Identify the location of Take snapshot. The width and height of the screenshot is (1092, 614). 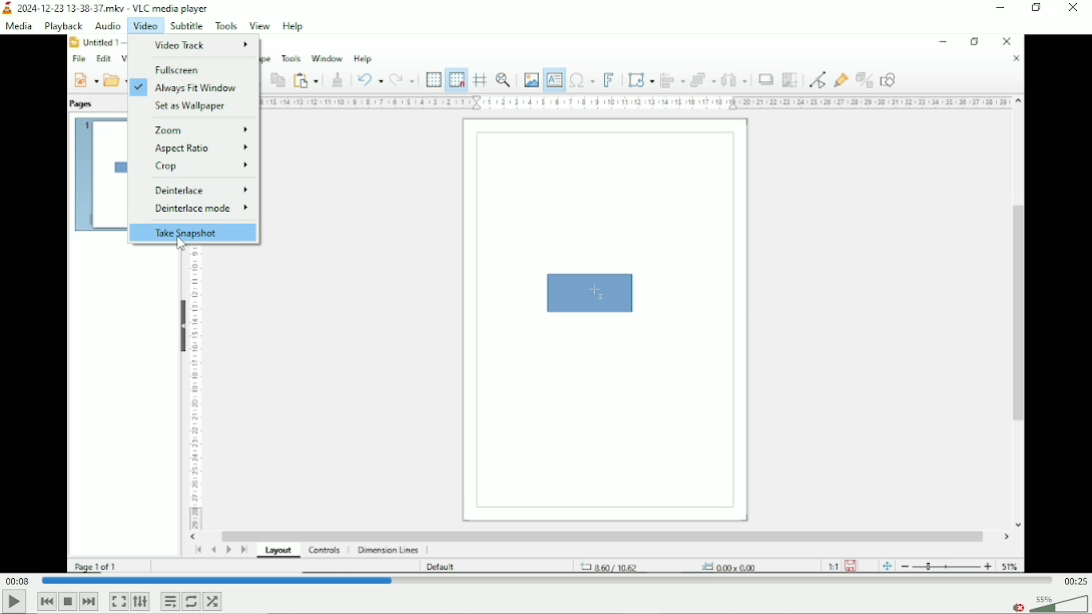
(190, 233).